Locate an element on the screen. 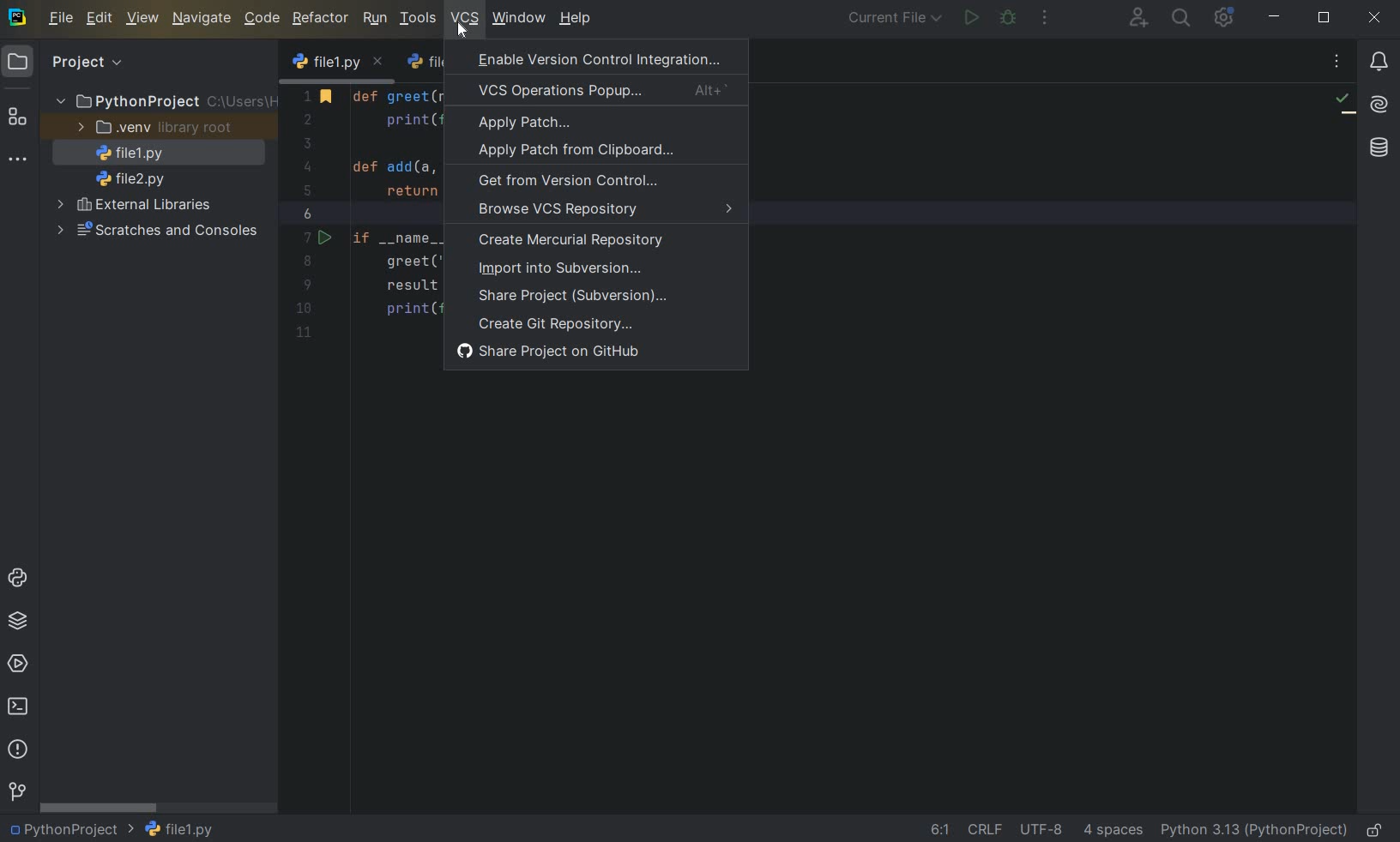 The width and height of the screenshot is (1400, 842). go to line is located at coordinates (939, 830).